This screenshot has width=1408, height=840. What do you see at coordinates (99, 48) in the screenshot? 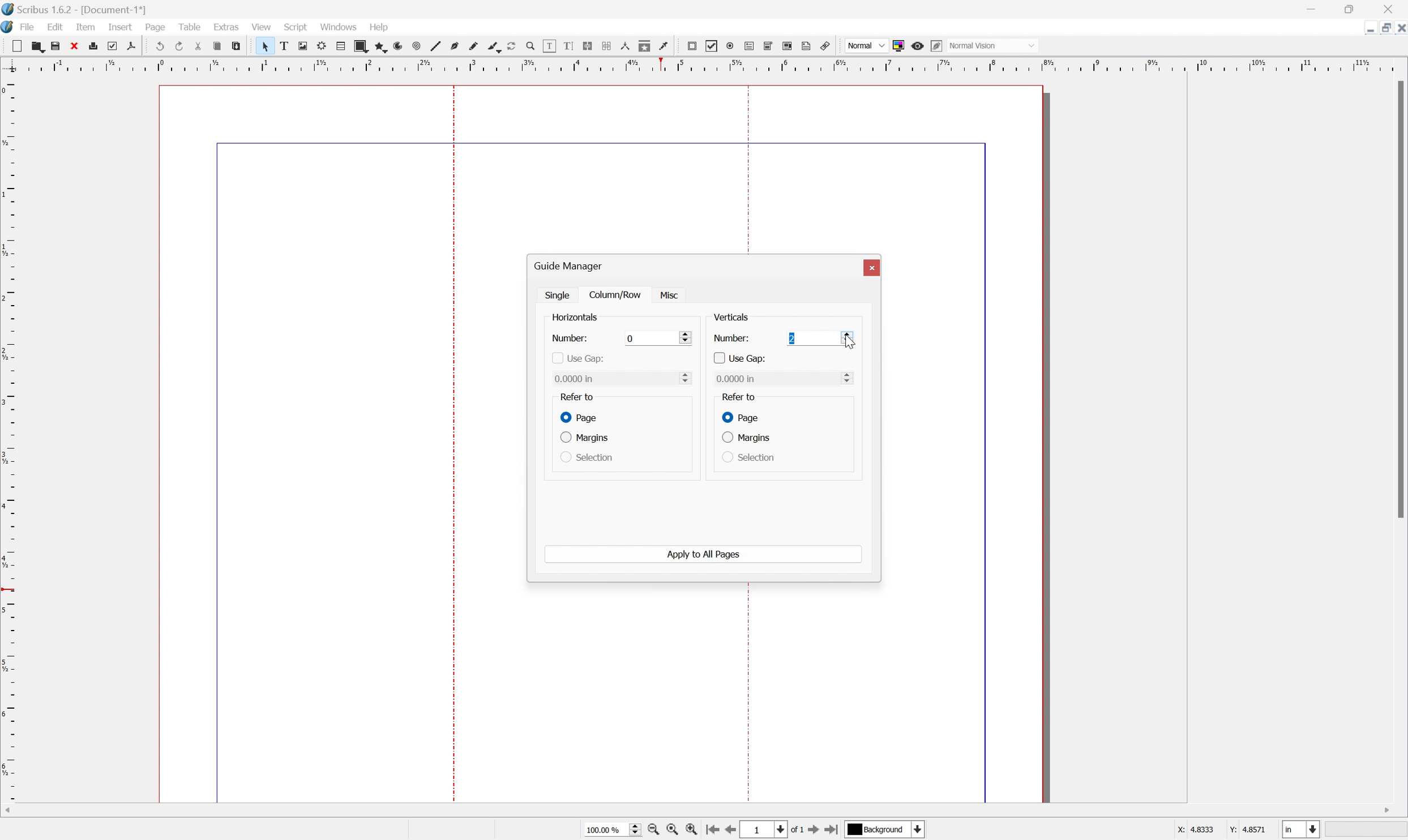
I see `print` at bounding box center [99, 48].